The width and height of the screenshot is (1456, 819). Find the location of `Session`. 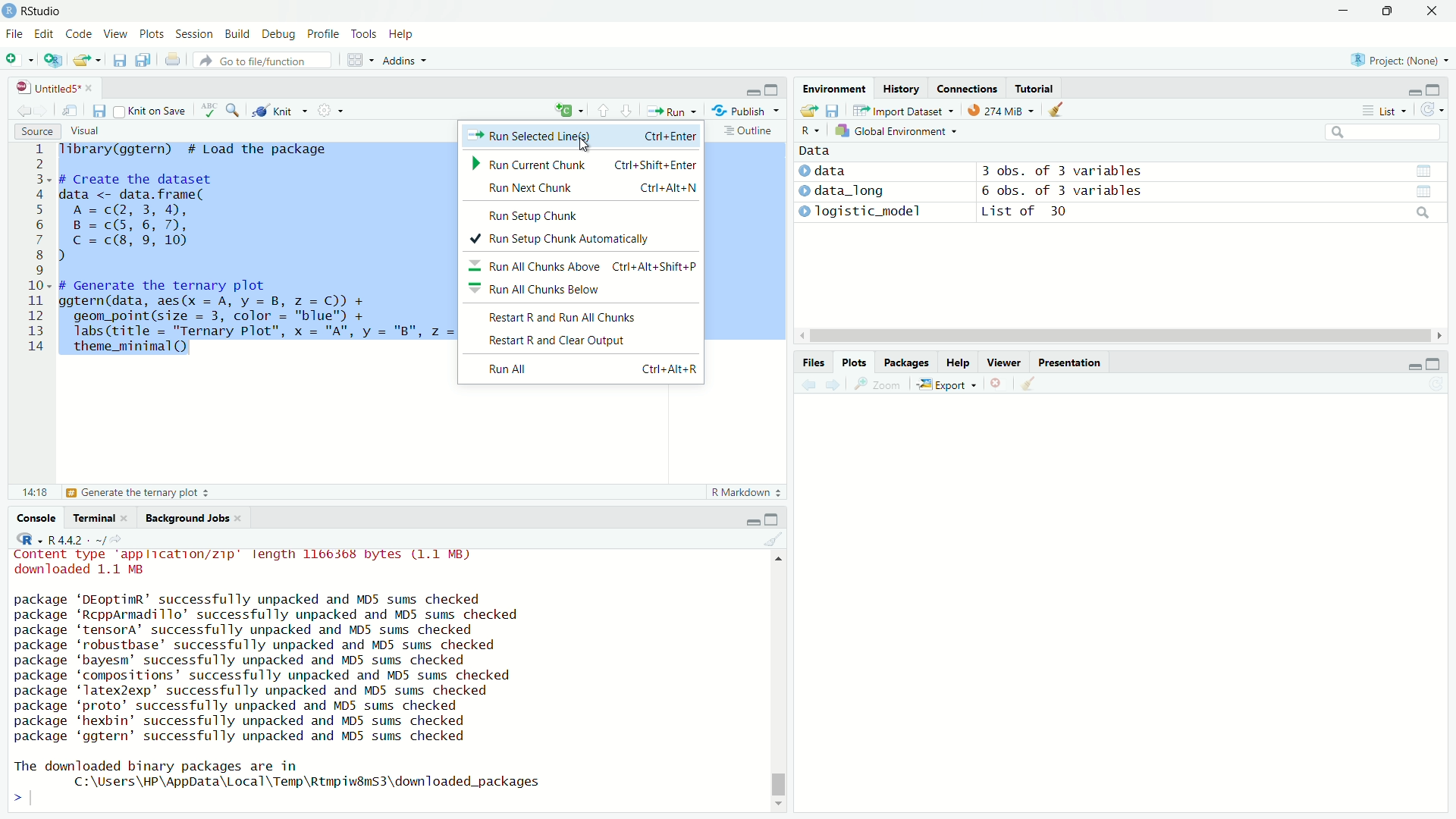

Session is located at coordinates (193, 36).